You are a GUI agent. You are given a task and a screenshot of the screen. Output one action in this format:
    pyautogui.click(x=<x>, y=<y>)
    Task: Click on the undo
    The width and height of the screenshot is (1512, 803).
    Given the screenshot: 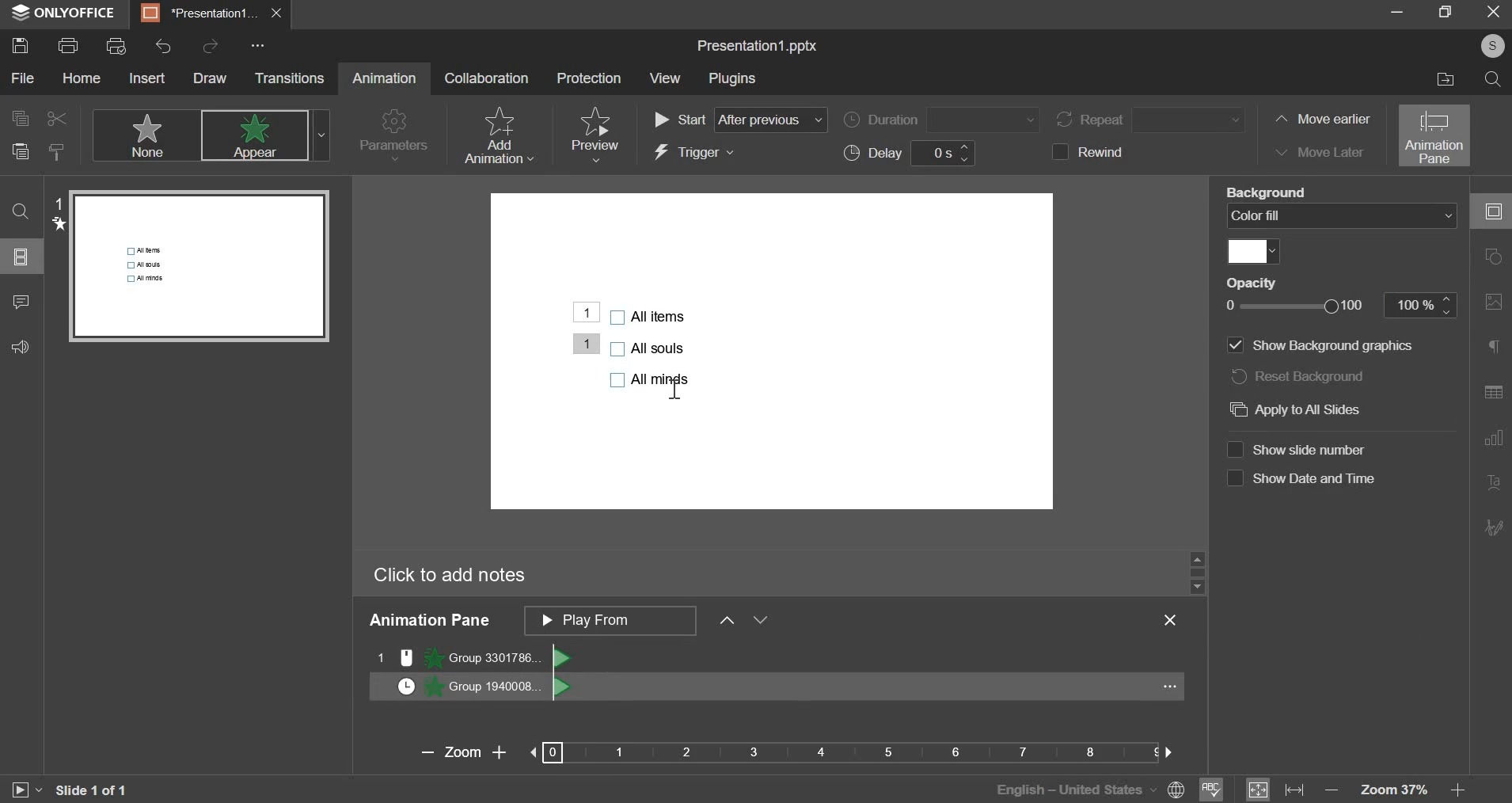 What is the action you would take?
    pyautogui.click(x=163, y=47)
    